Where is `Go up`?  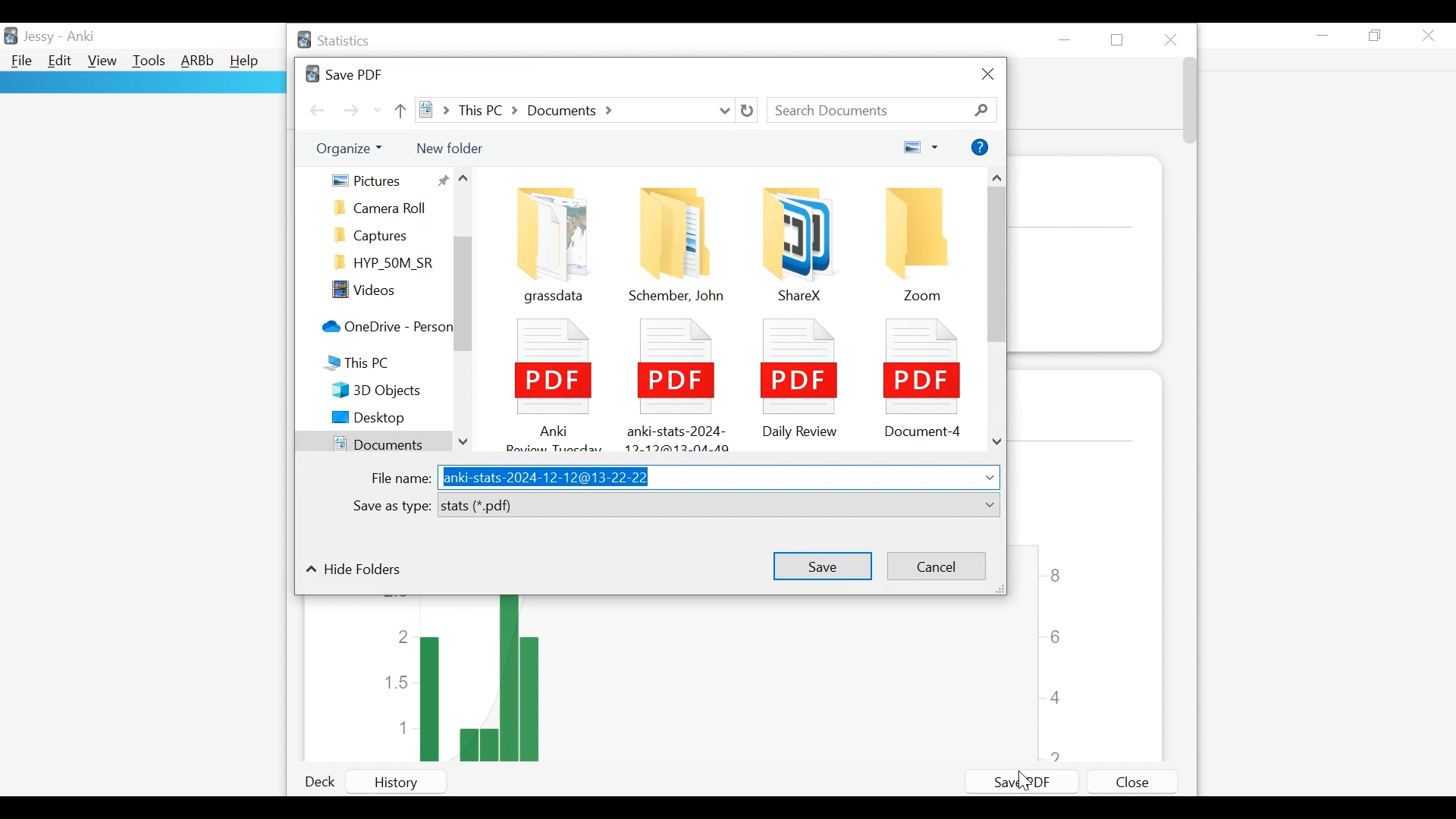 Go up is located at coordinates (402, 110).